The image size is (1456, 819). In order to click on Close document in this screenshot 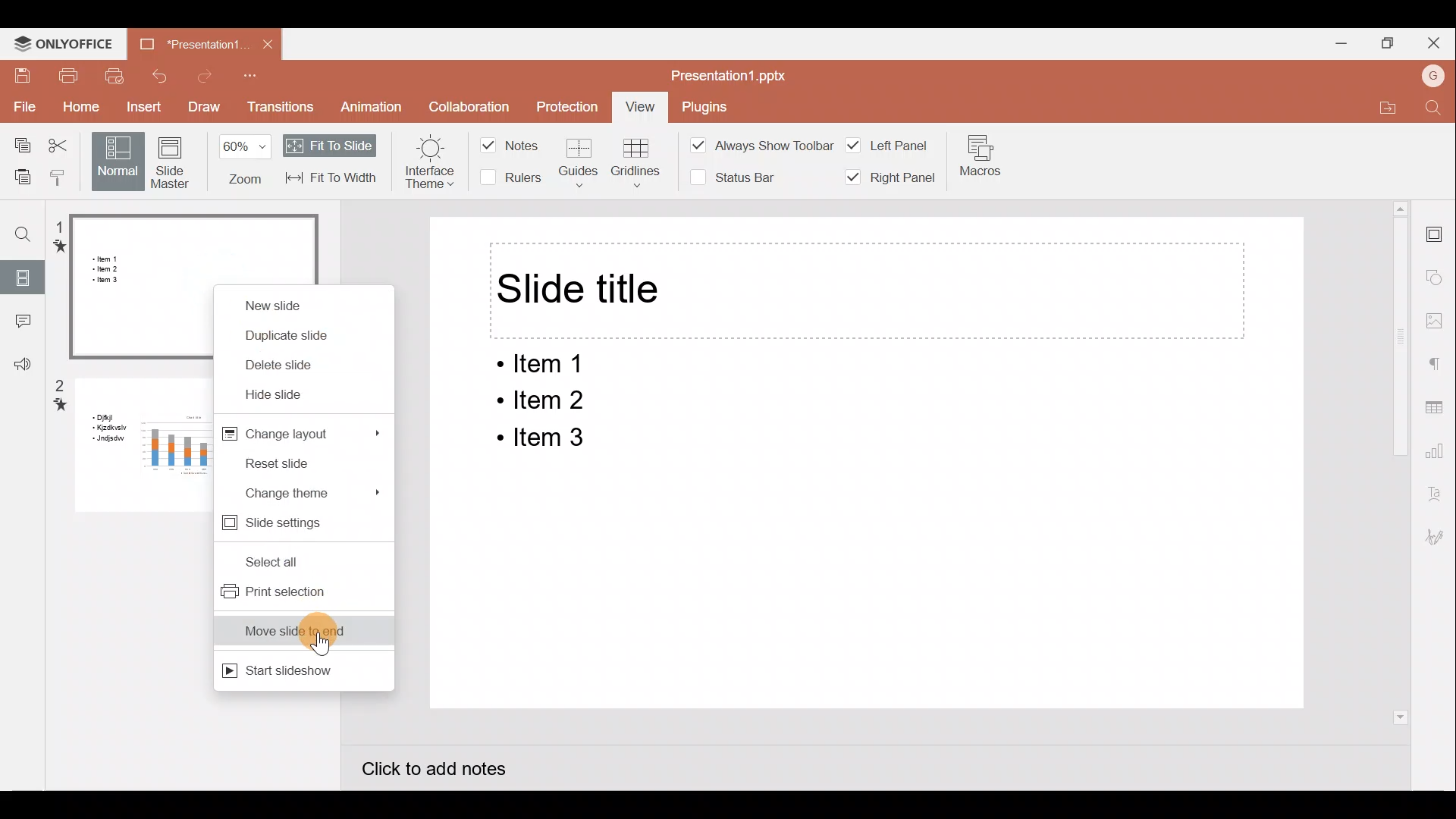, I will do `click(267, 42)`.